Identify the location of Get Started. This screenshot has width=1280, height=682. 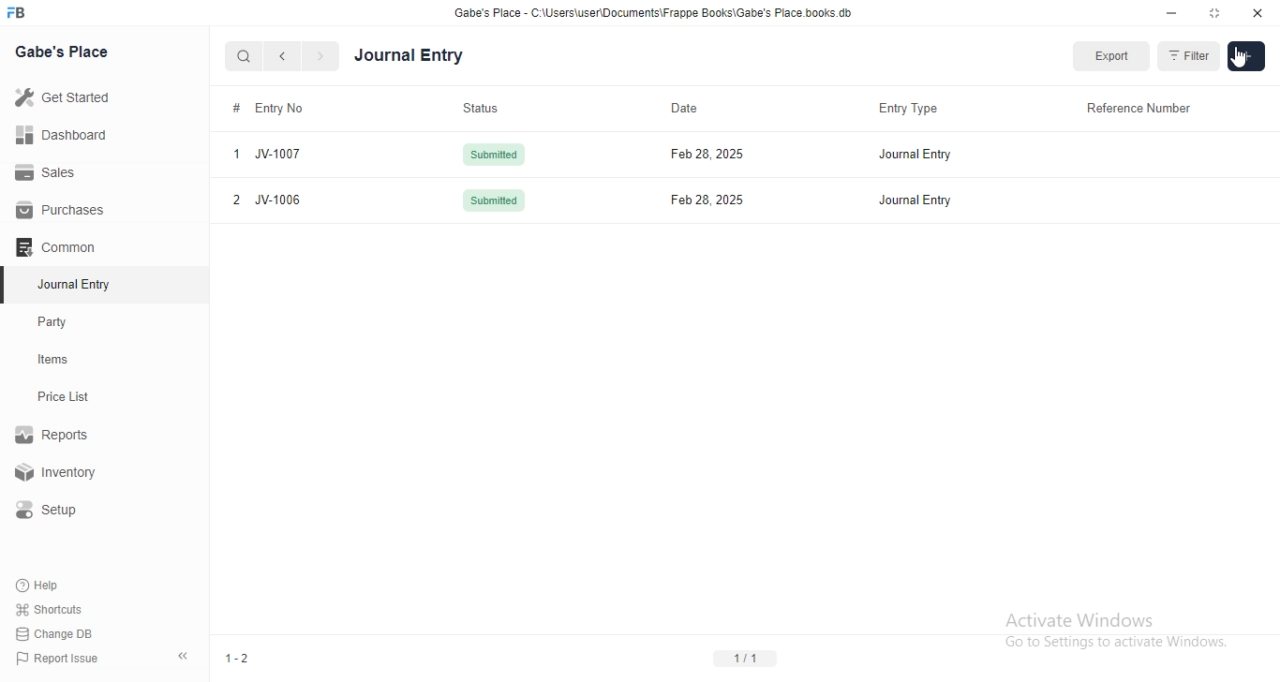
(61, 99).